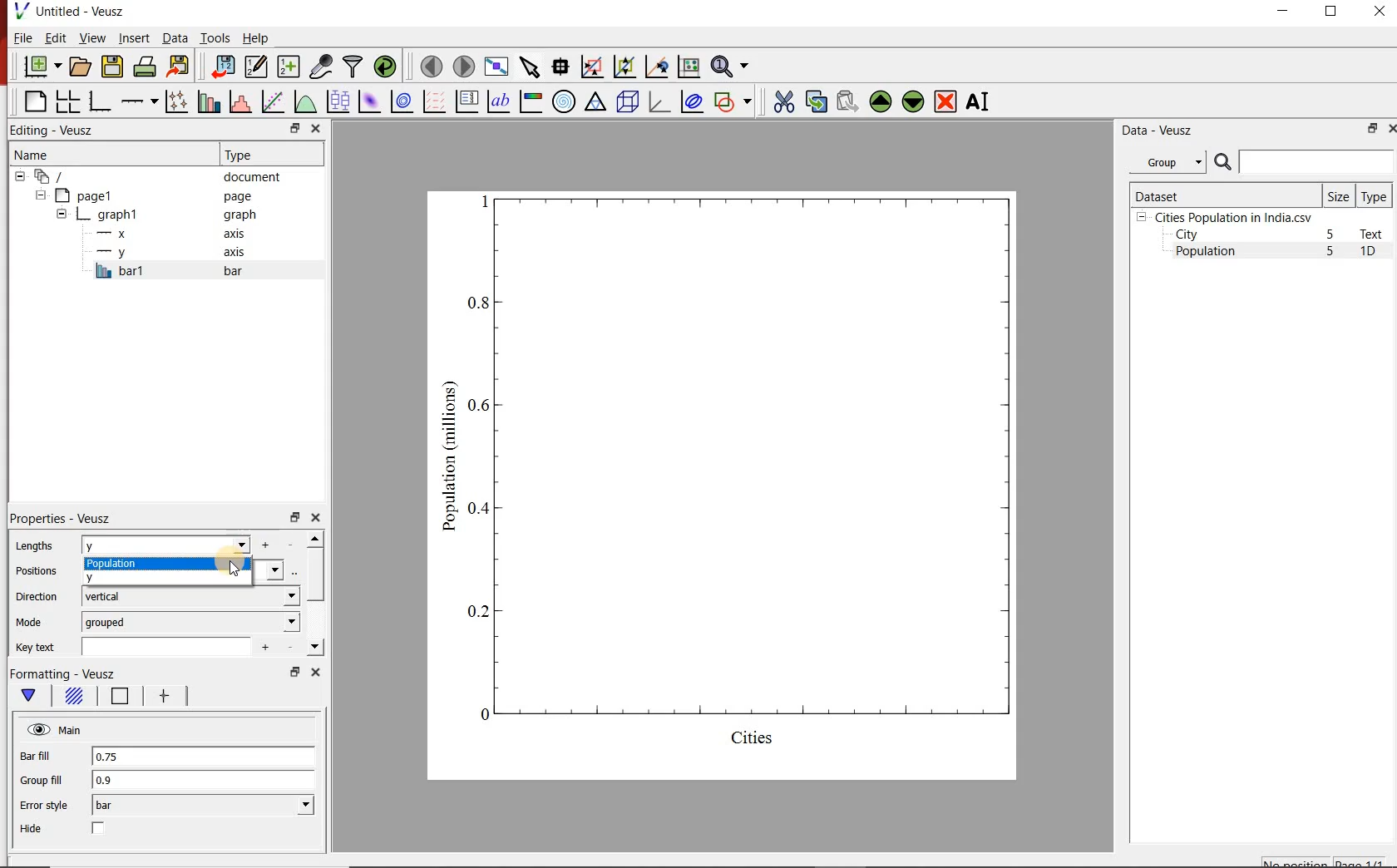 The width and height of the screenshot is (1397, 868). Describe the element at coordinates (1232, 217) in the screenshot. I see `Cities Population in India.csv` at that location.